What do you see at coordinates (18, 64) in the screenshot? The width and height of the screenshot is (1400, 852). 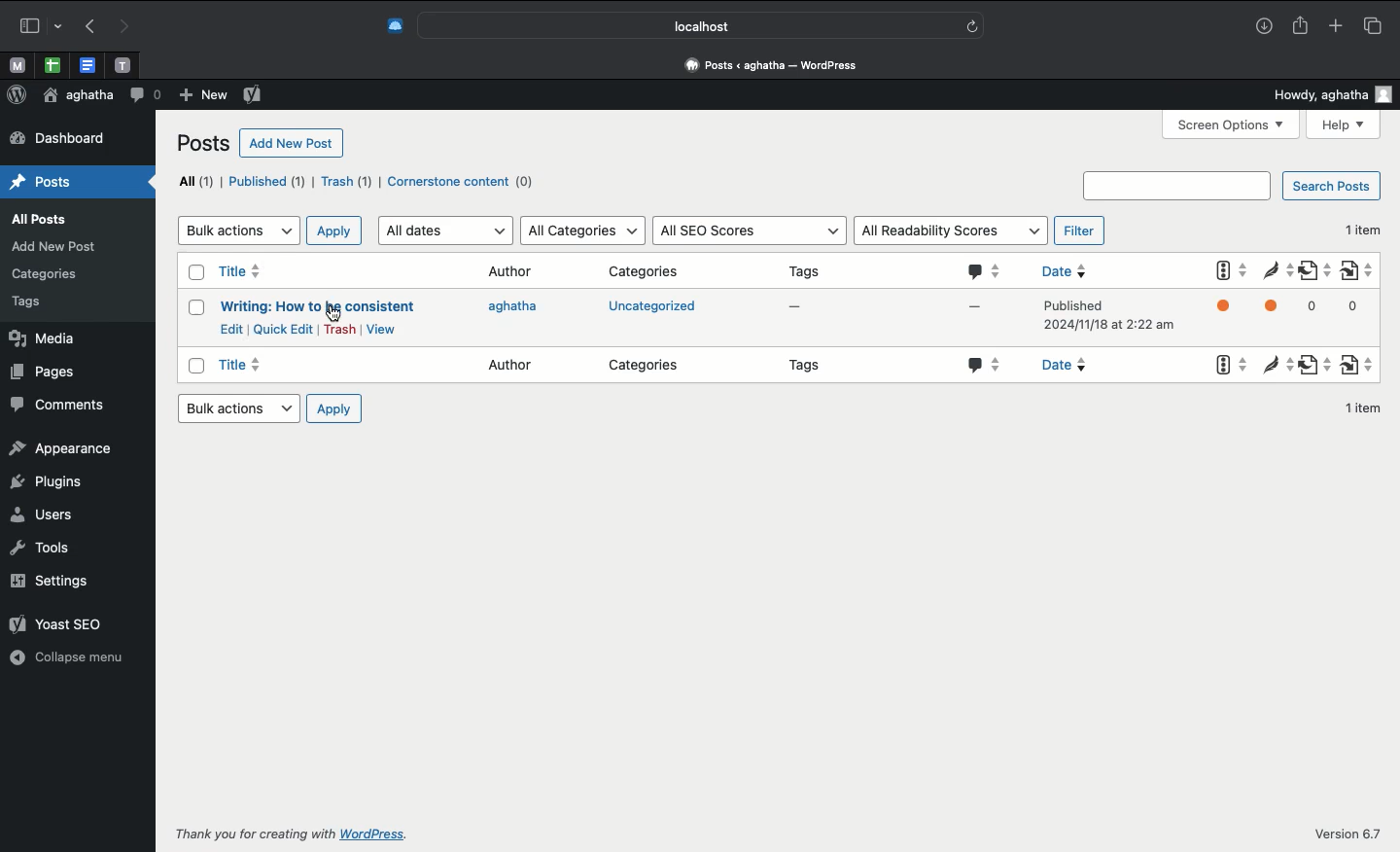 I see `Pinned tabs` at bounding box center [18, 64].